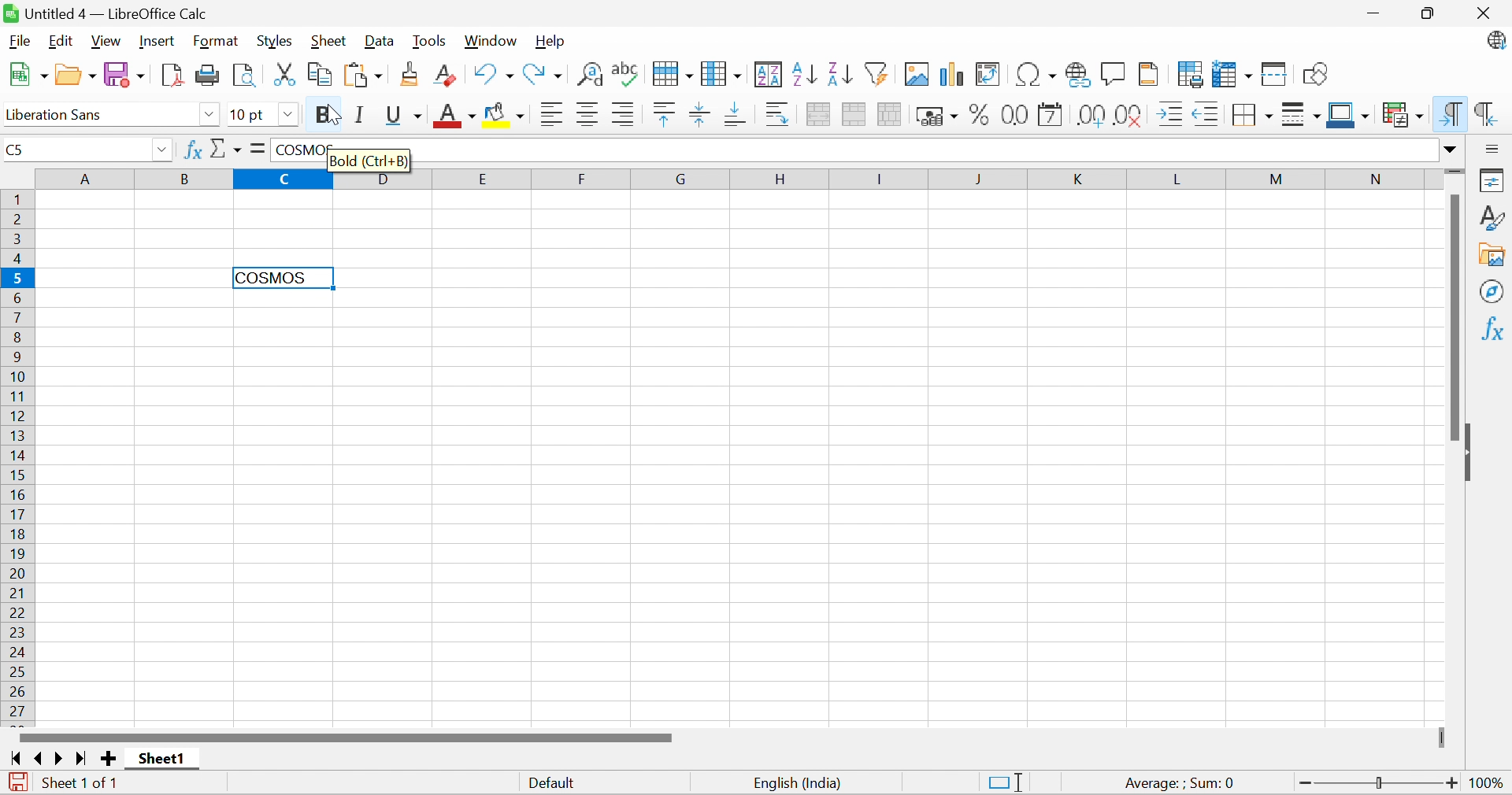 The width and height of the screenshot is (1512, 795). What do you see at coordinates (1170, 115) in the screenshot?
I see `Increase Indent` at bounding box center [1170, 115].